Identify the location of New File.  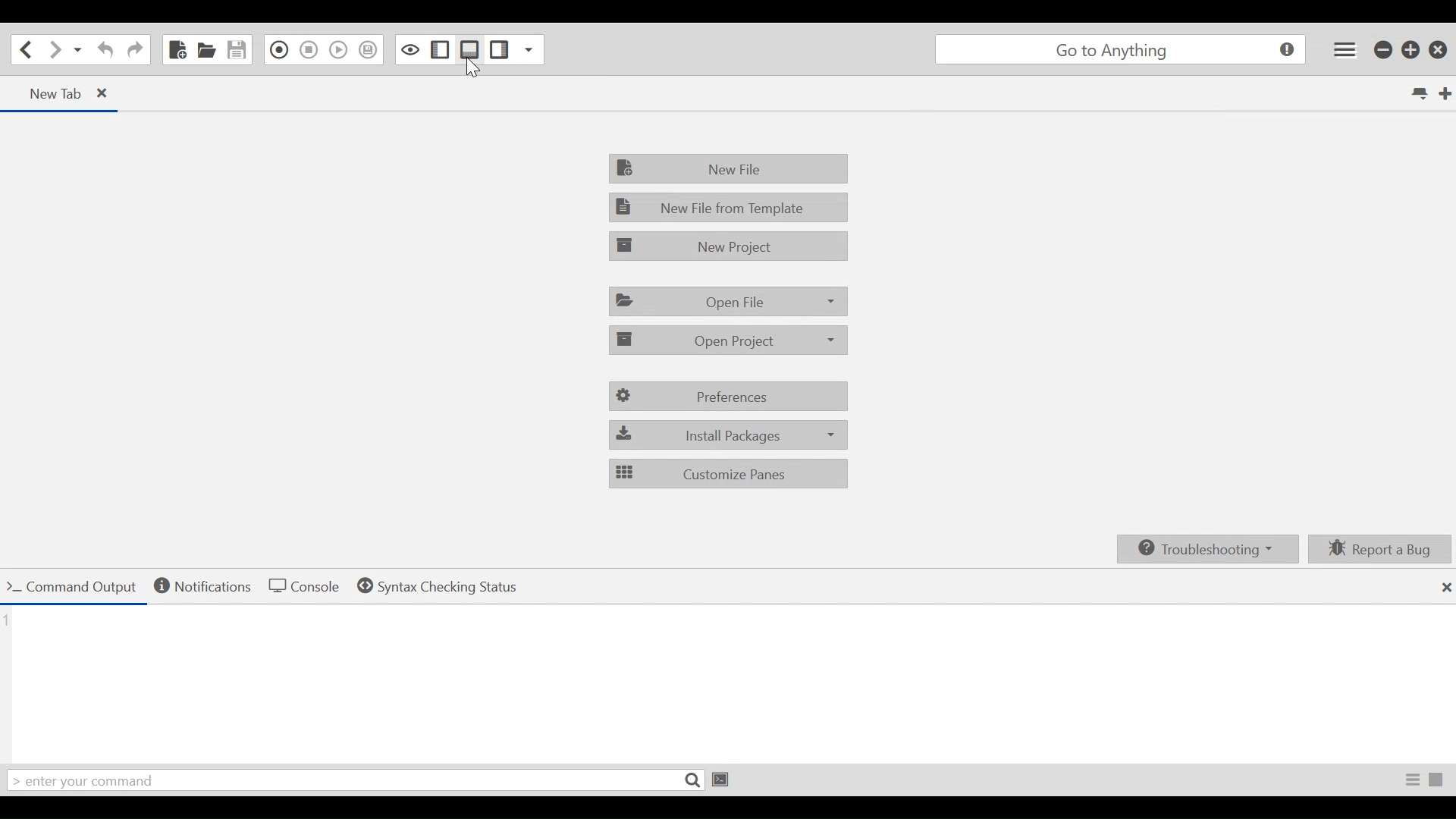
(178, 49).